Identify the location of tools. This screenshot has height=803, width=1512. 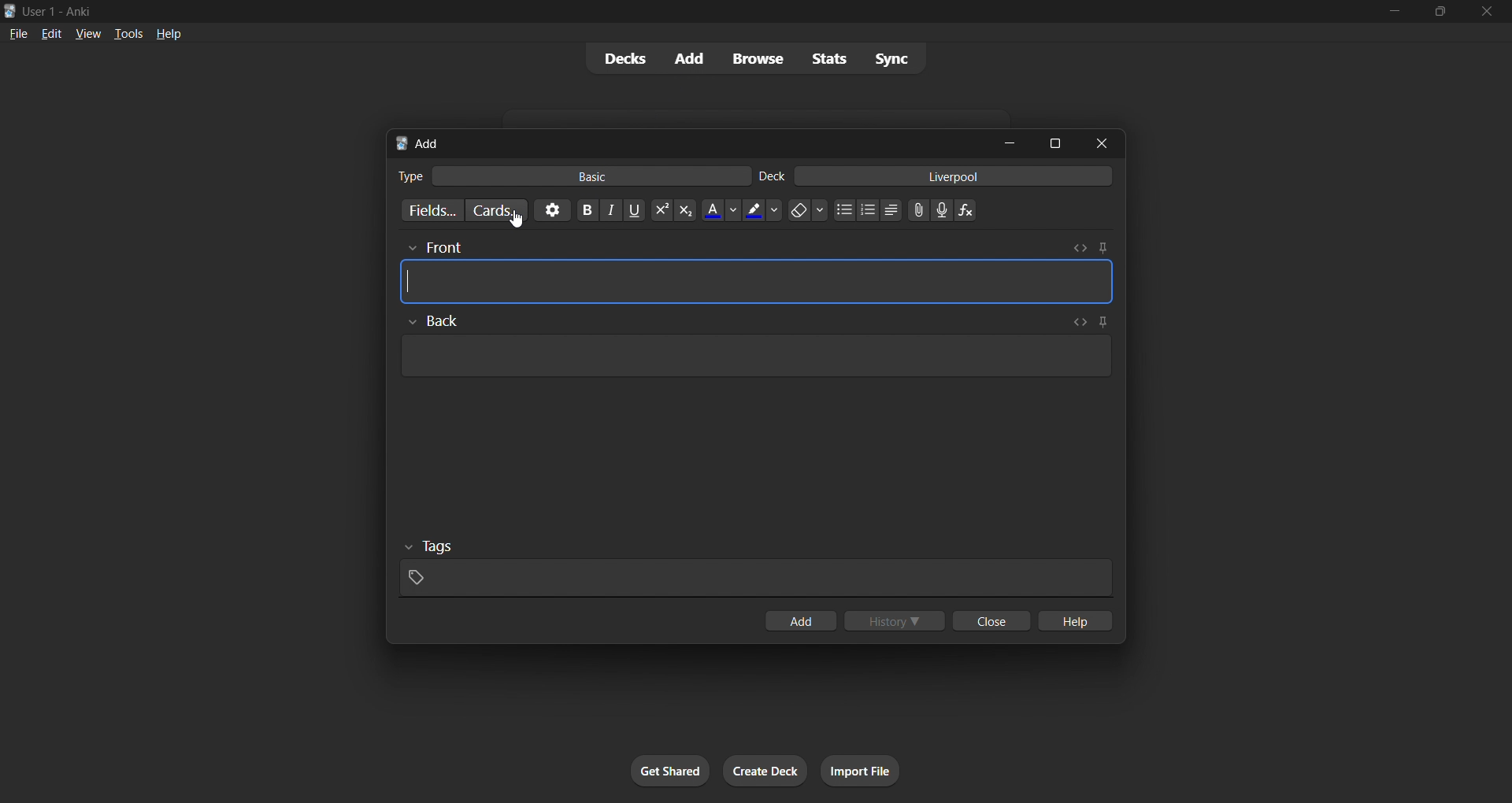
(126, 35).